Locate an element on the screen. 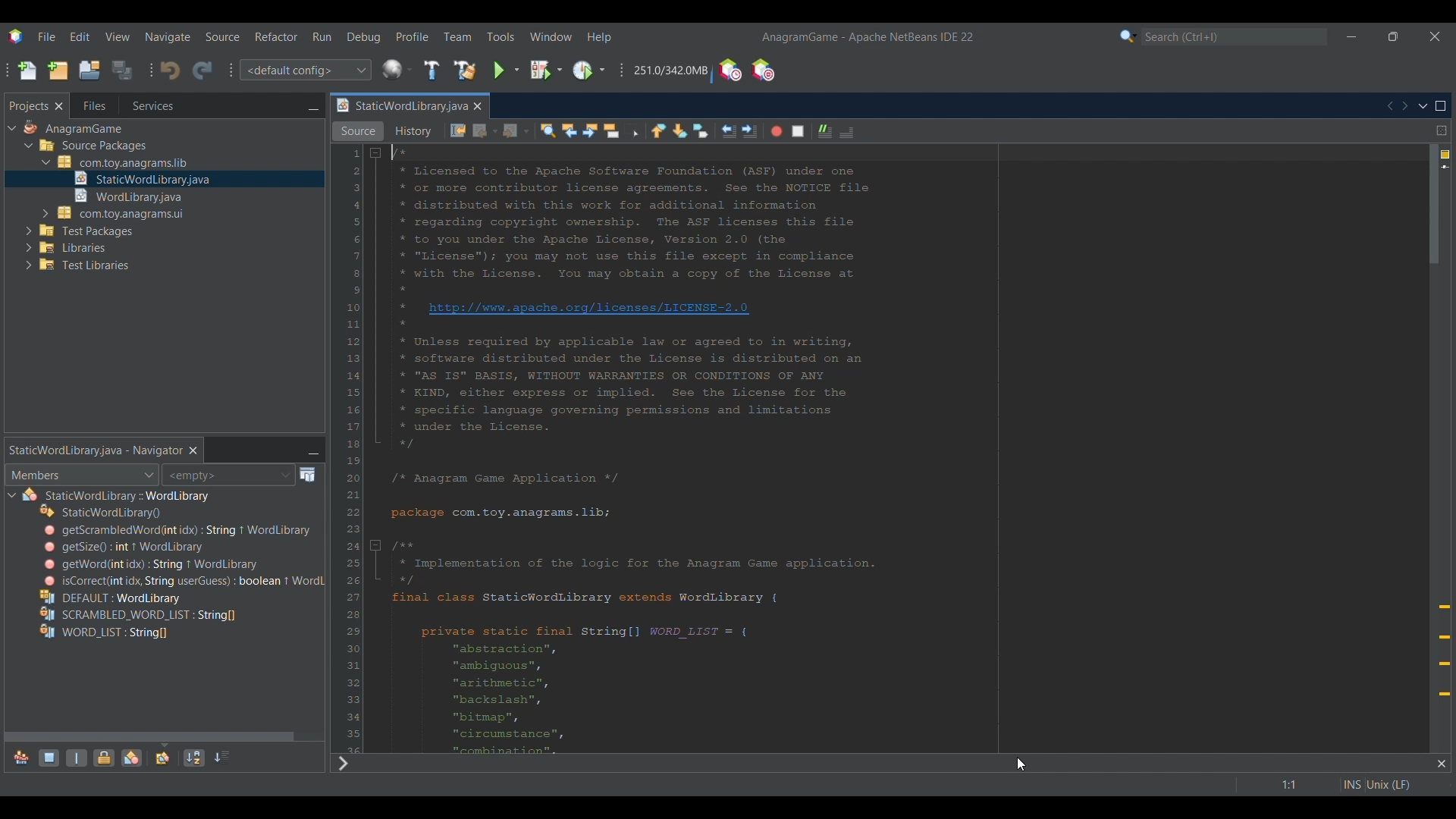 The image size is (1456, 819). Show static members is located at coordinates (77, 758).